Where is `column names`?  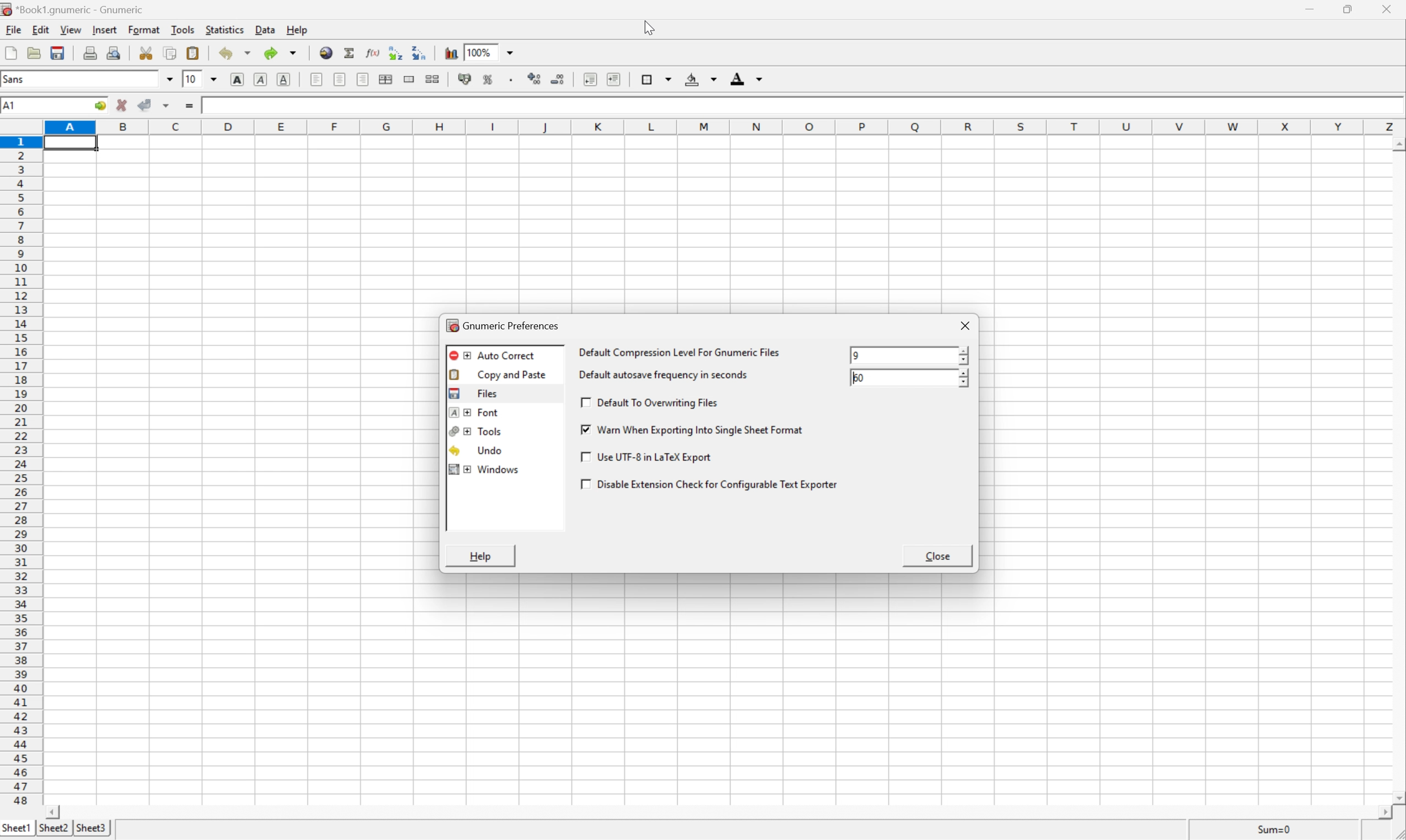 column names is located at coordinates (725, 129).